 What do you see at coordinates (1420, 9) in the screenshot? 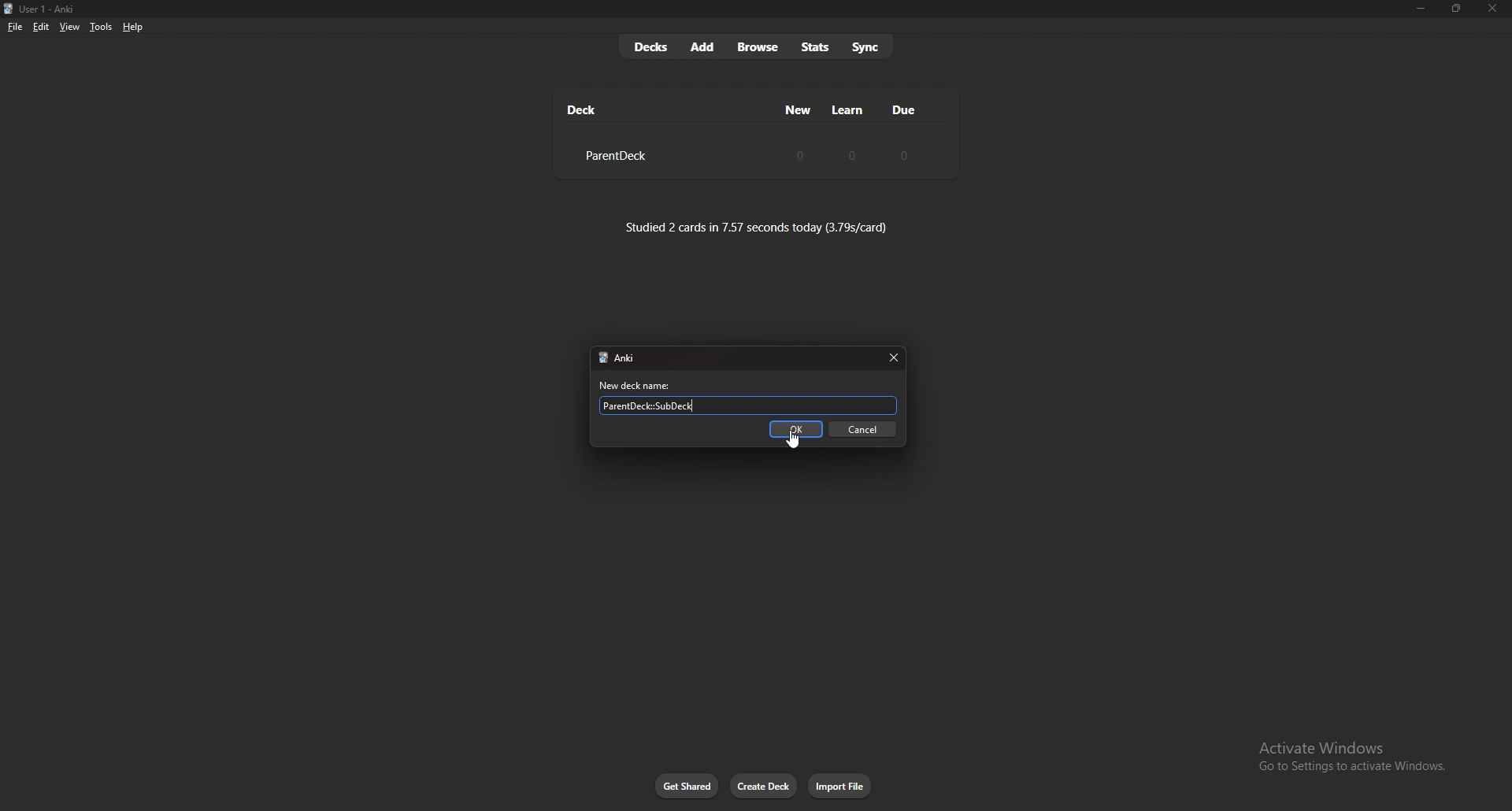
I see `minimize` at bounding box center [1420, 9].